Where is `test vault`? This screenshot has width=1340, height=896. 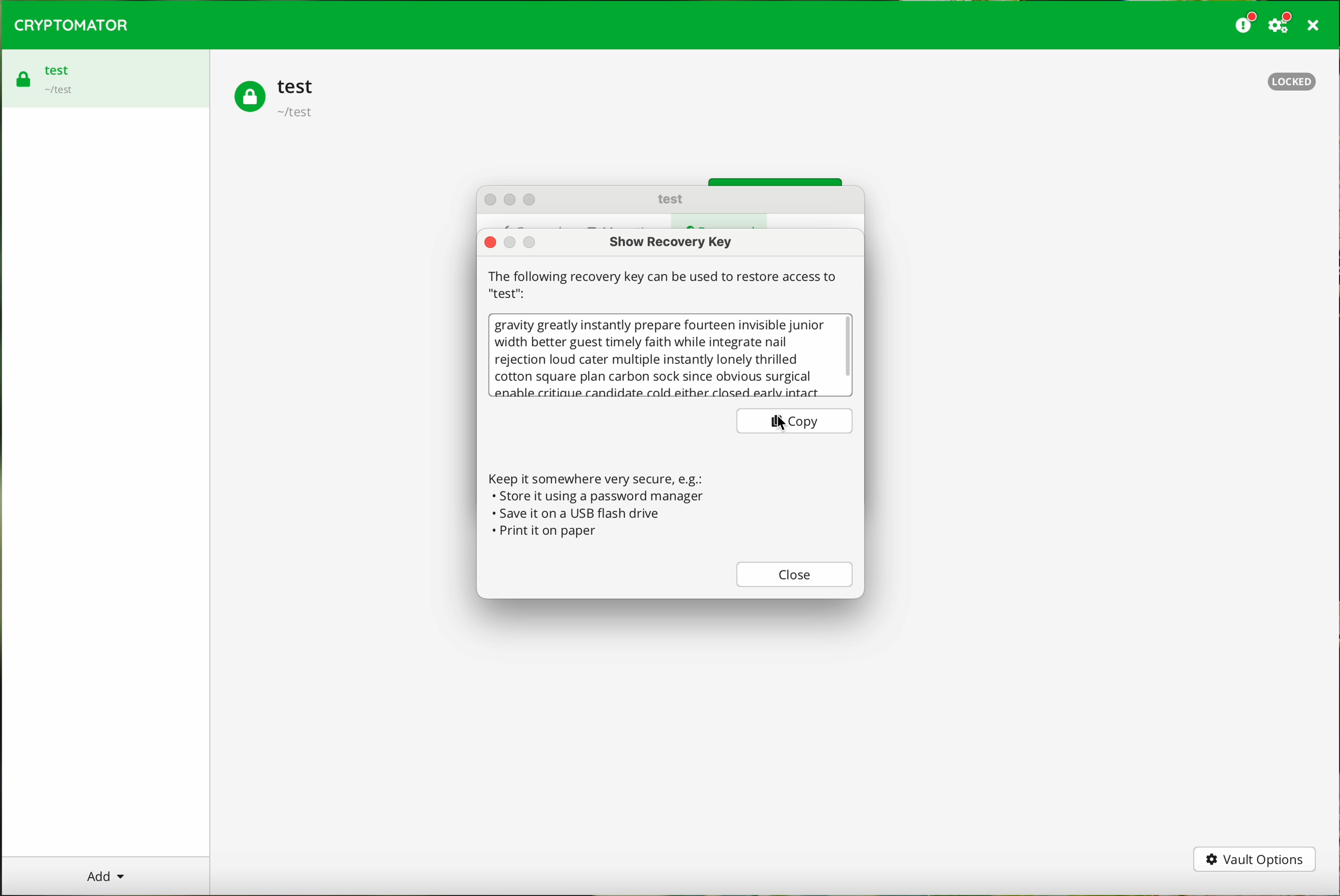 test vault is located at coordinates (49, 75).